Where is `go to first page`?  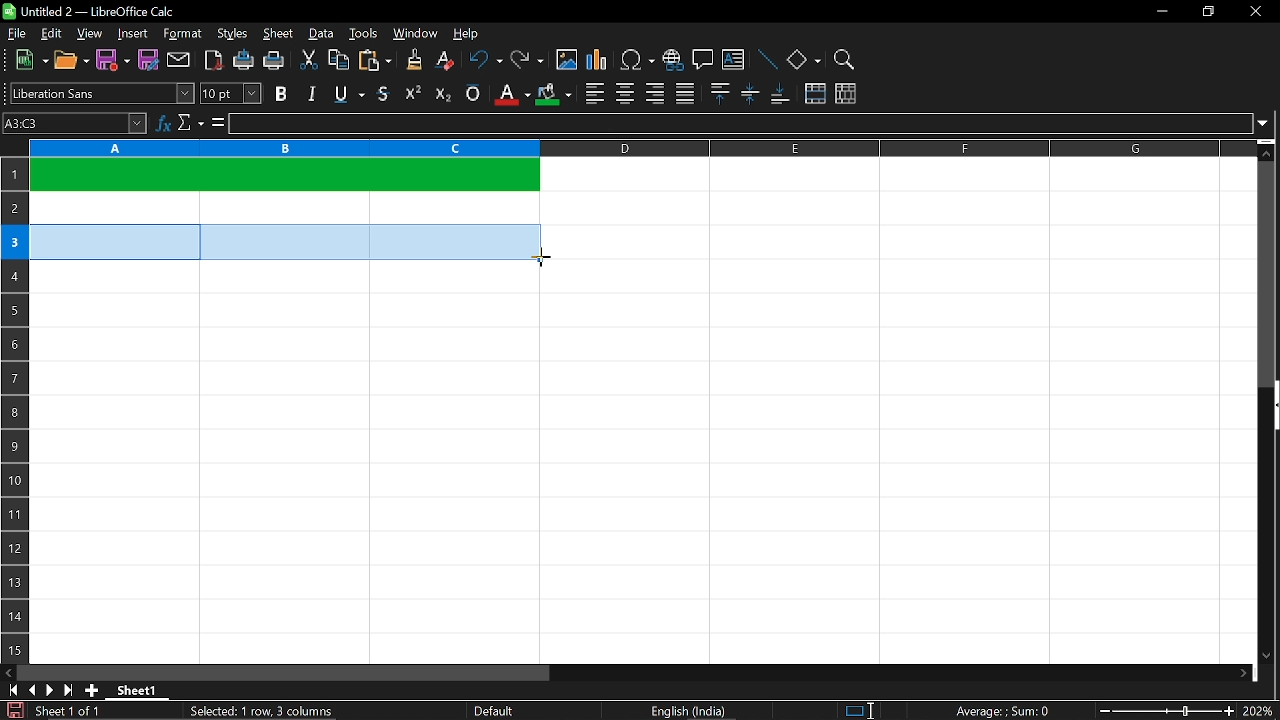 go to first page is located at coordinates (10, 691).